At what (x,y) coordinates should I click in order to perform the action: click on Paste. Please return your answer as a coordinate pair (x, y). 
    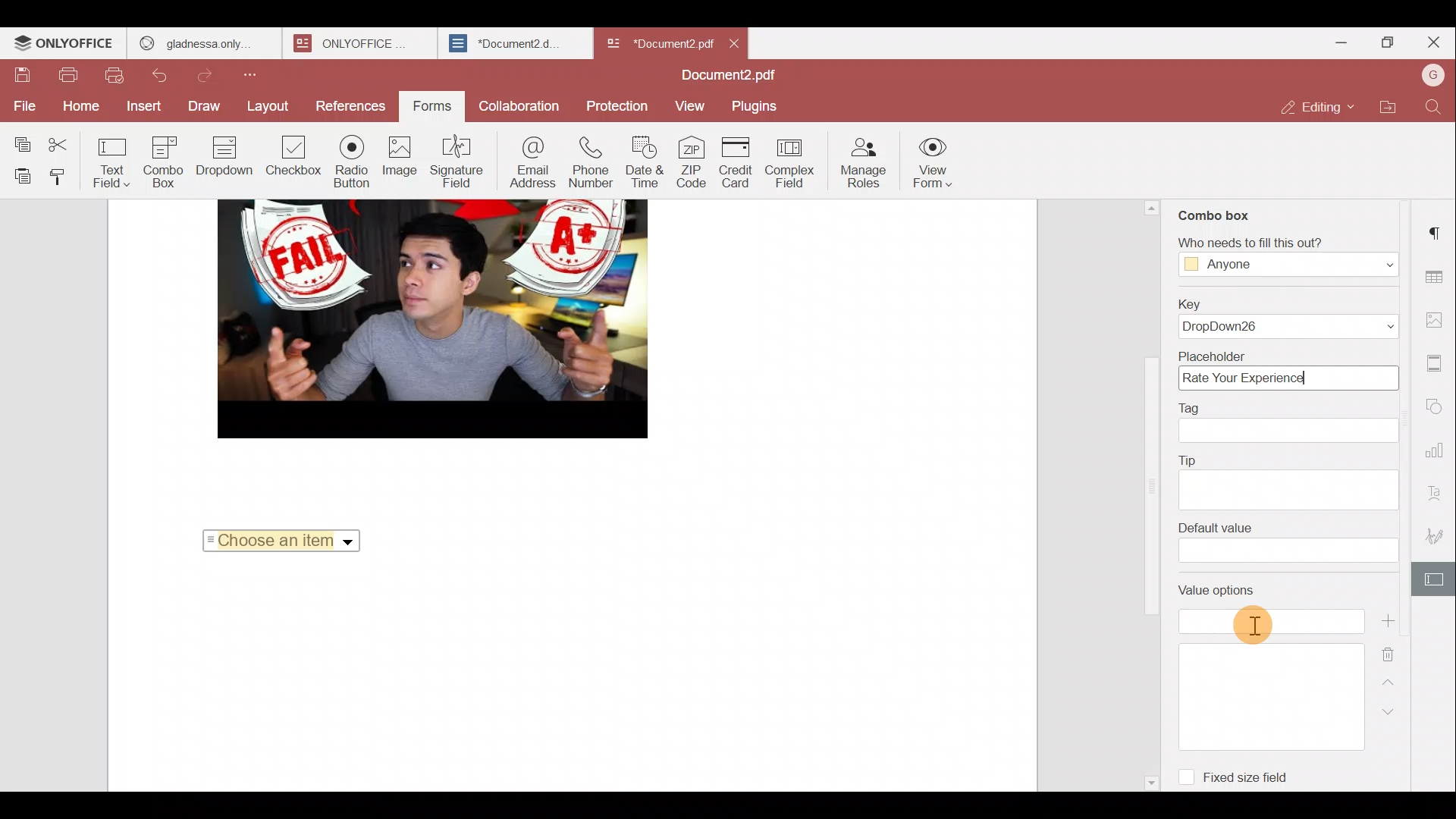
    Looking at the image, I should click on (20, 176).